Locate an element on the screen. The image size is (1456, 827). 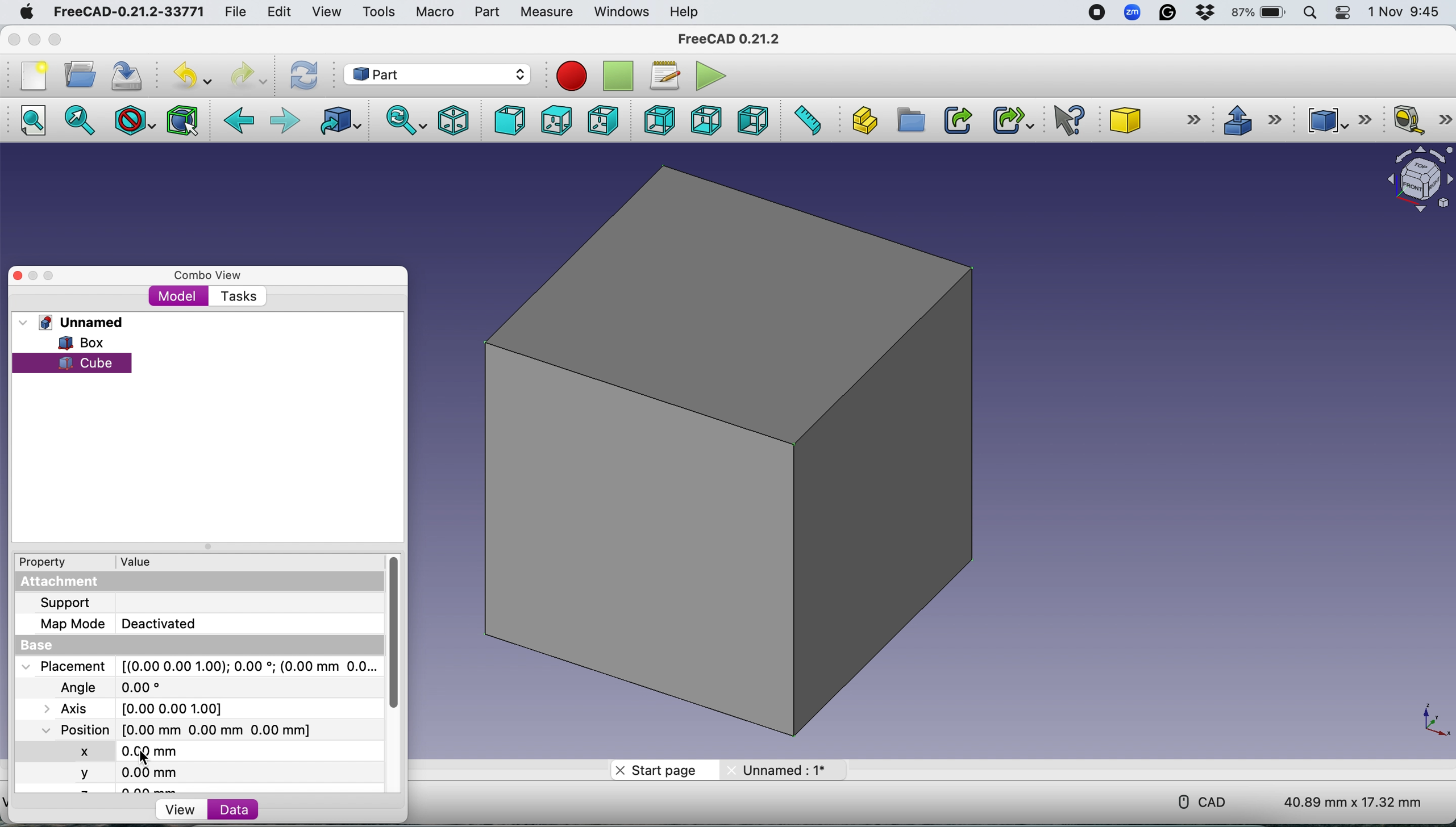
Stop recording macros is located at coordinates (620, 76).